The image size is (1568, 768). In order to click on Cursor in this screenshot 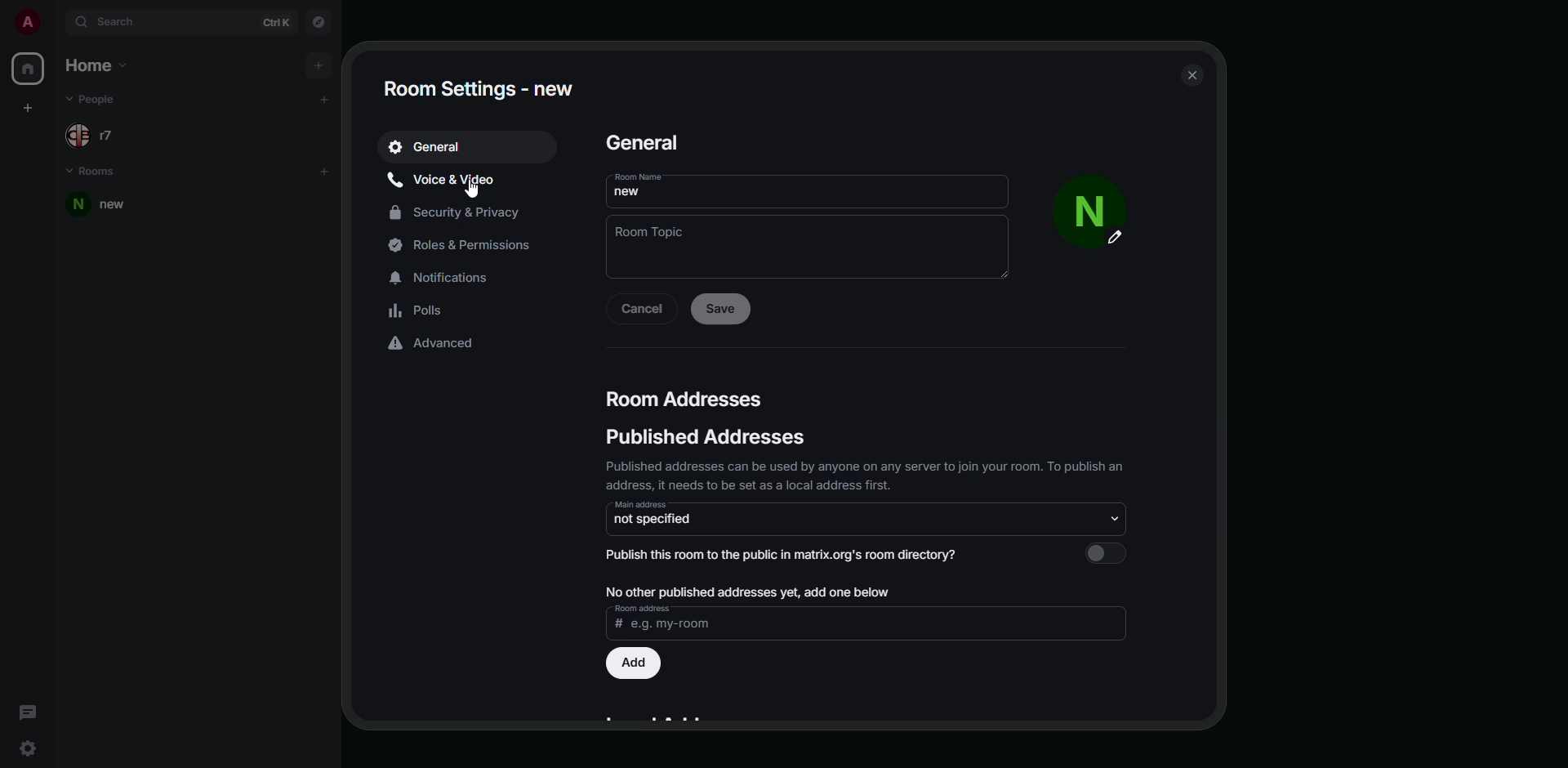, I will do `click(476, 191)`.